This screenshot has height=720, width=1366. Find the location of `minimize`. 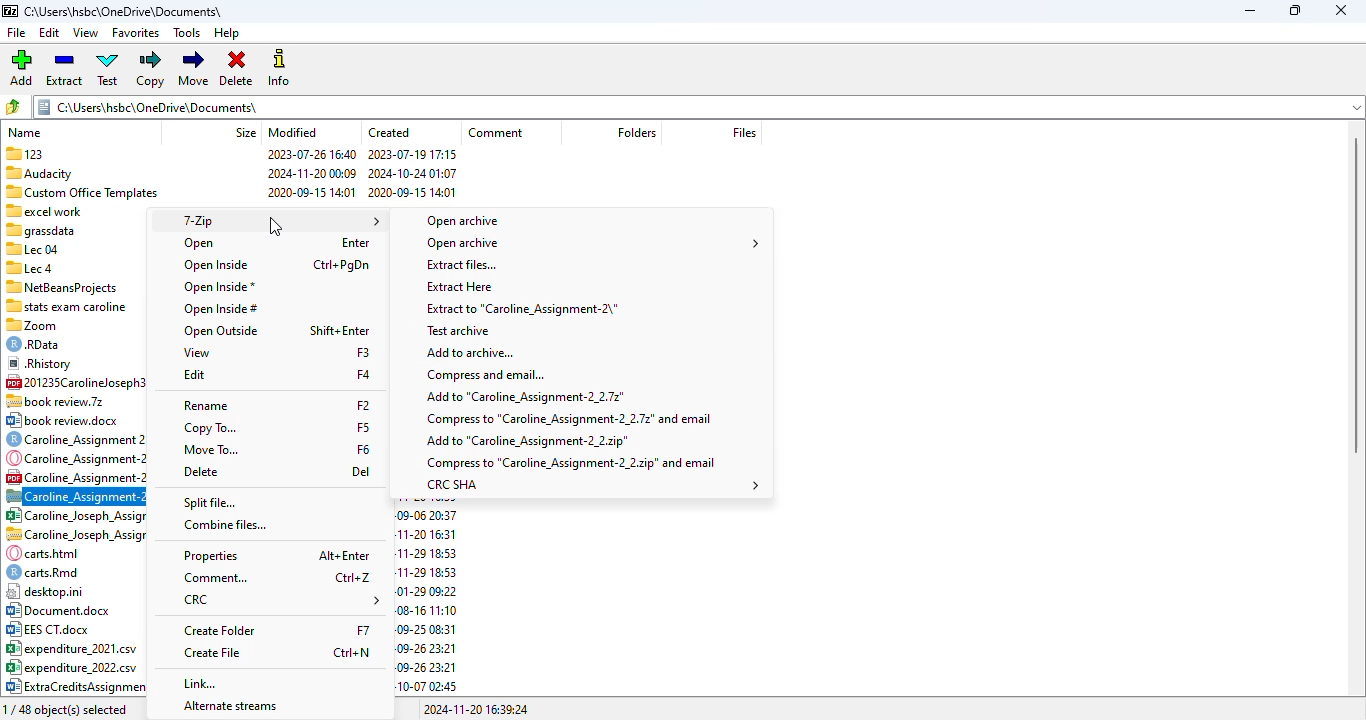

minimize is located at coordinates (1251, 11).